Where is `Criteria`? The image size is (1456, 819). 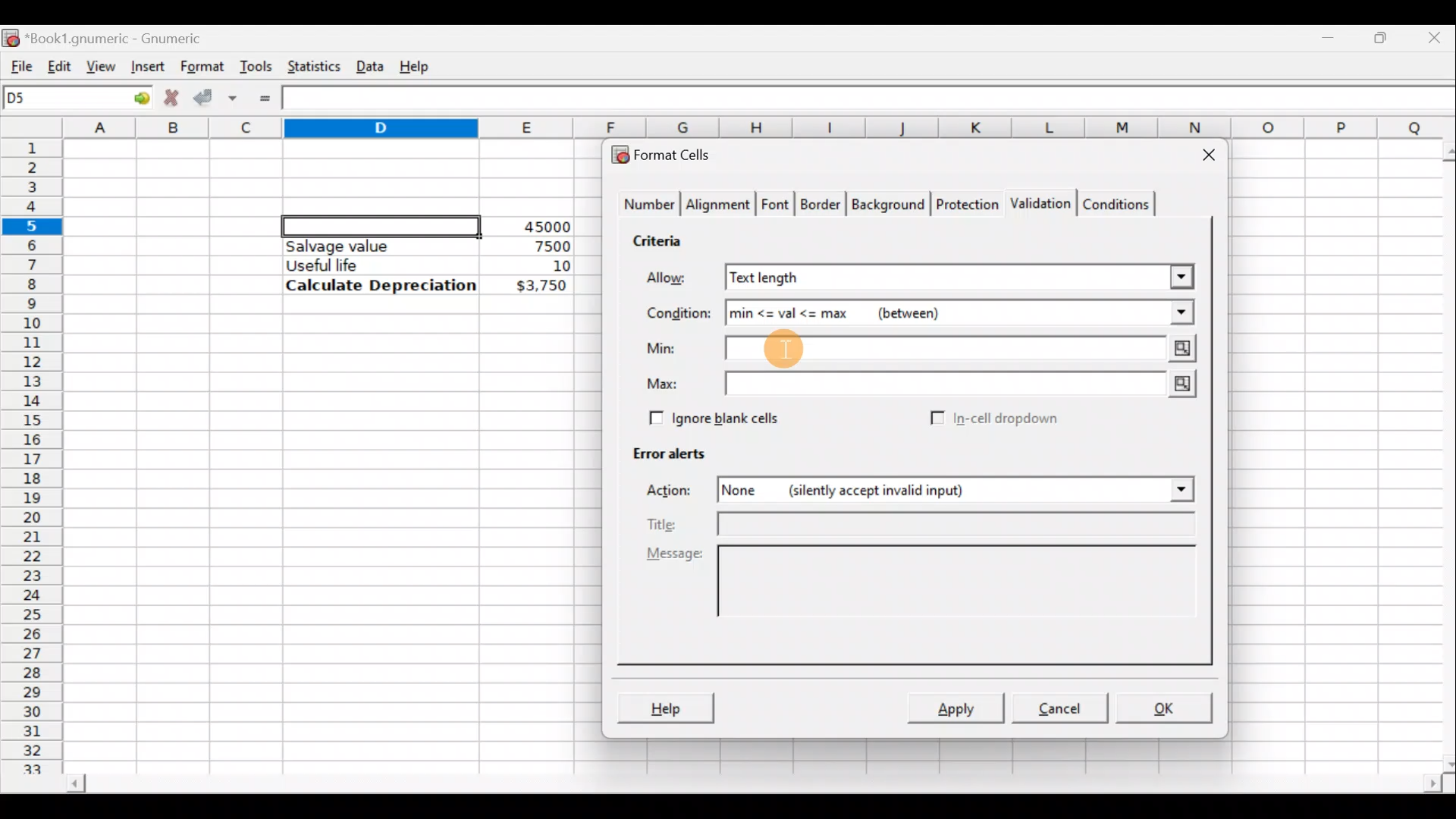 Criteria is located at coordinates (663, 238).